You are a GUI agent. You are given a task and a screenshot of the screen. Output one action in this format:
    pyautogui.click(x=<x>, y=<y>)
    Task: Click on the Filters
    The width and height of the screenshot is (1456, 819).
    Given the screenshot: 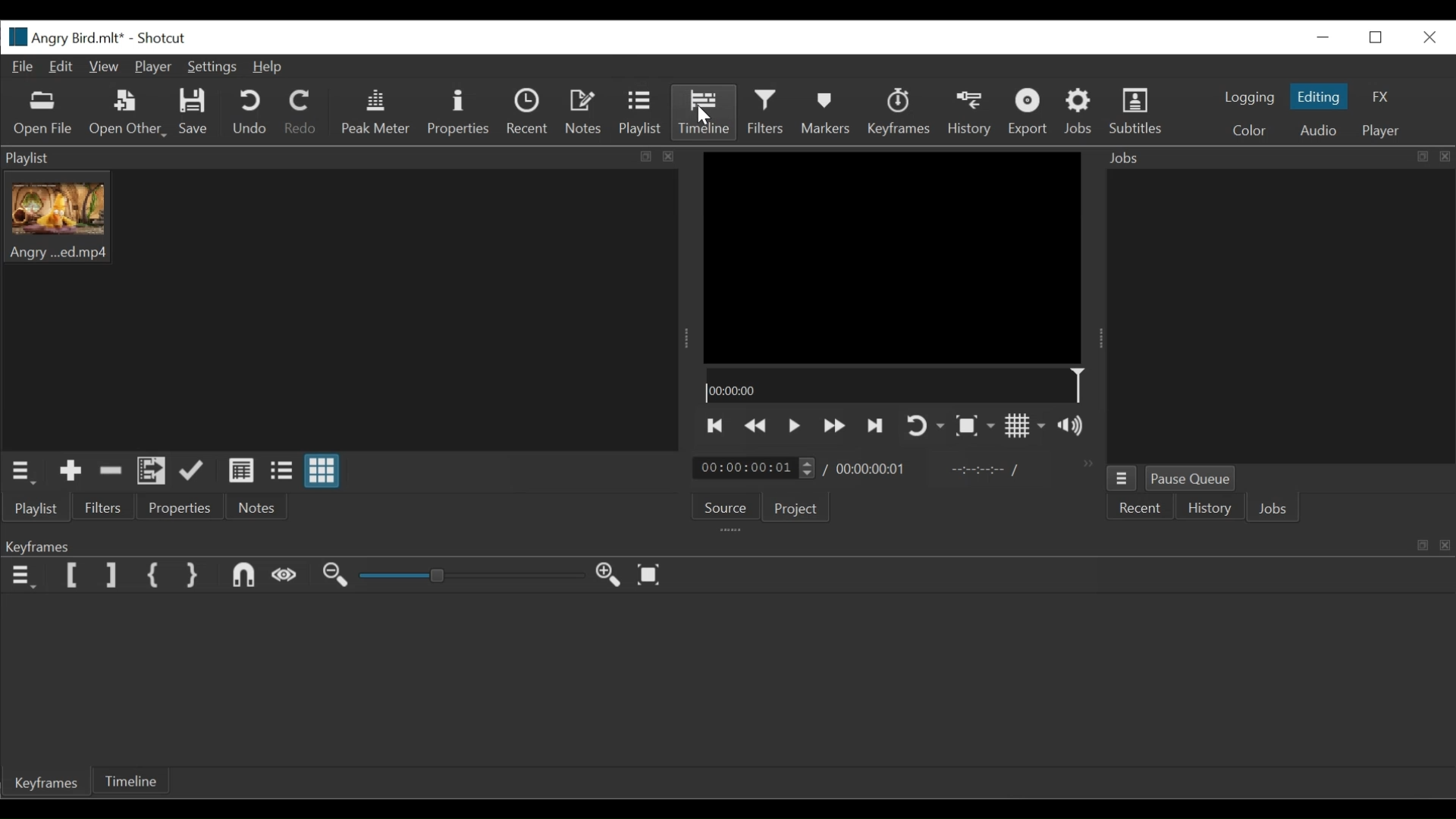 What is the action you would take?
    pyautogui.click(x=767, y=111)
    